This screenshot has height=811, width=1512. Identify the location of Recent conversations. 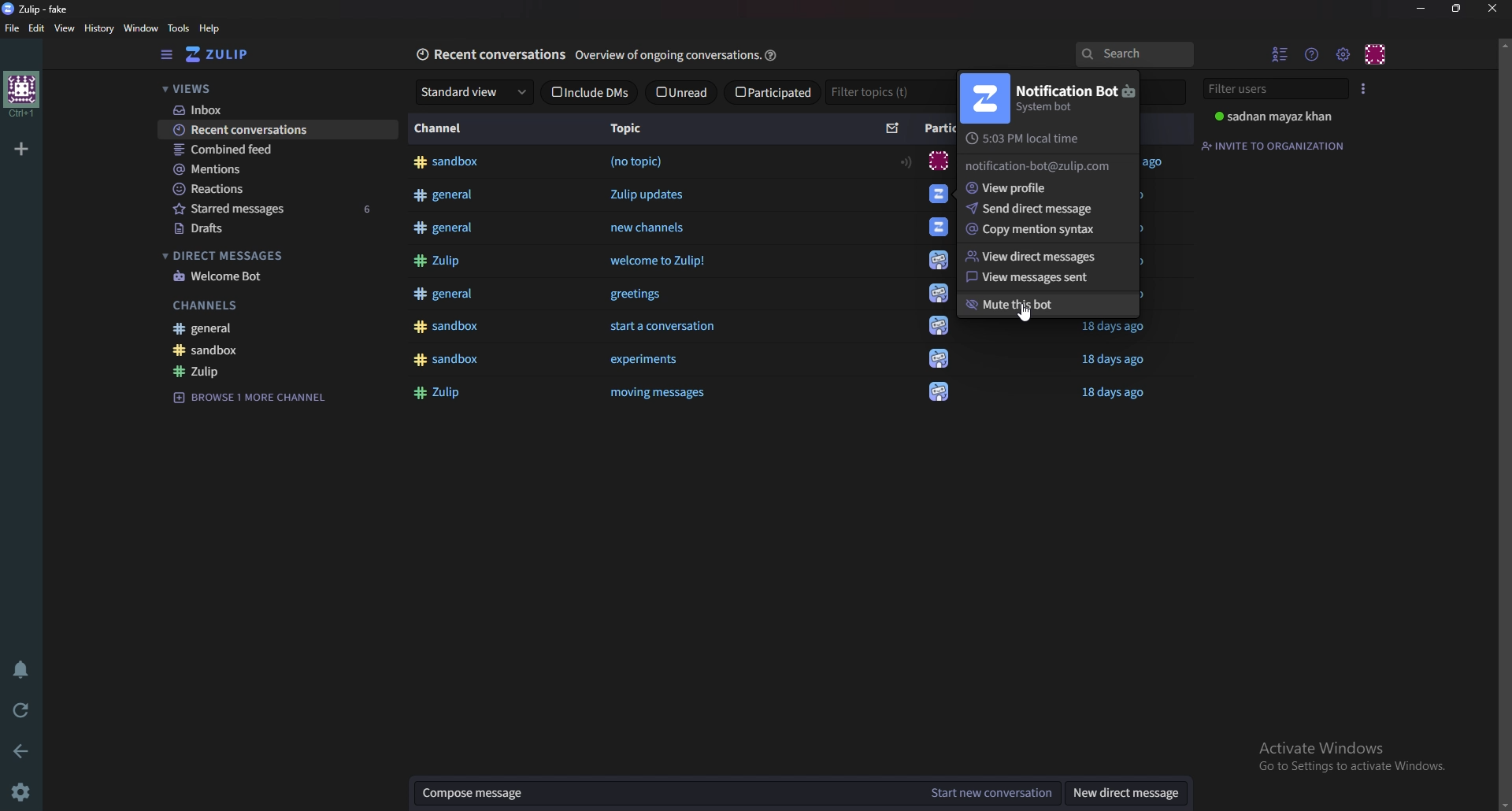
(491, 53).